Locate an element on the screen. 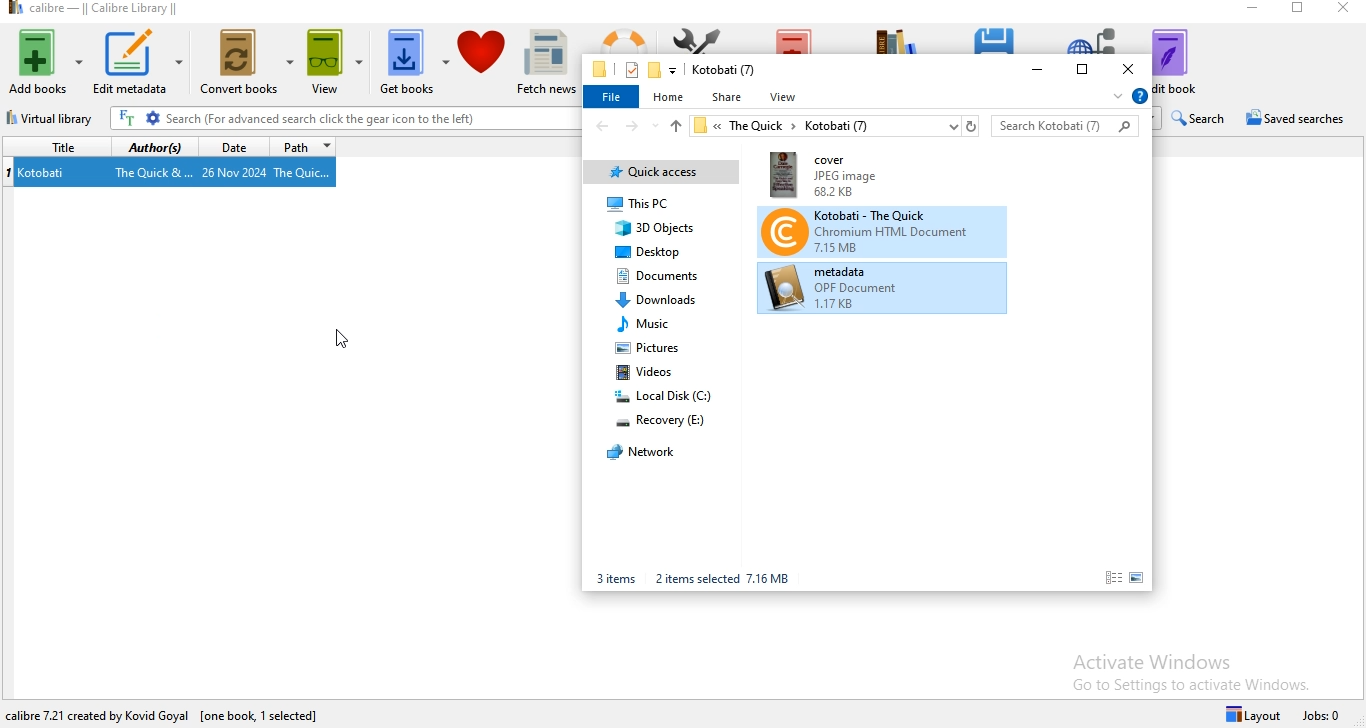 This screenshot has width=1366, height=728. customise quick access toolbar is located at coordinates (673, 70).